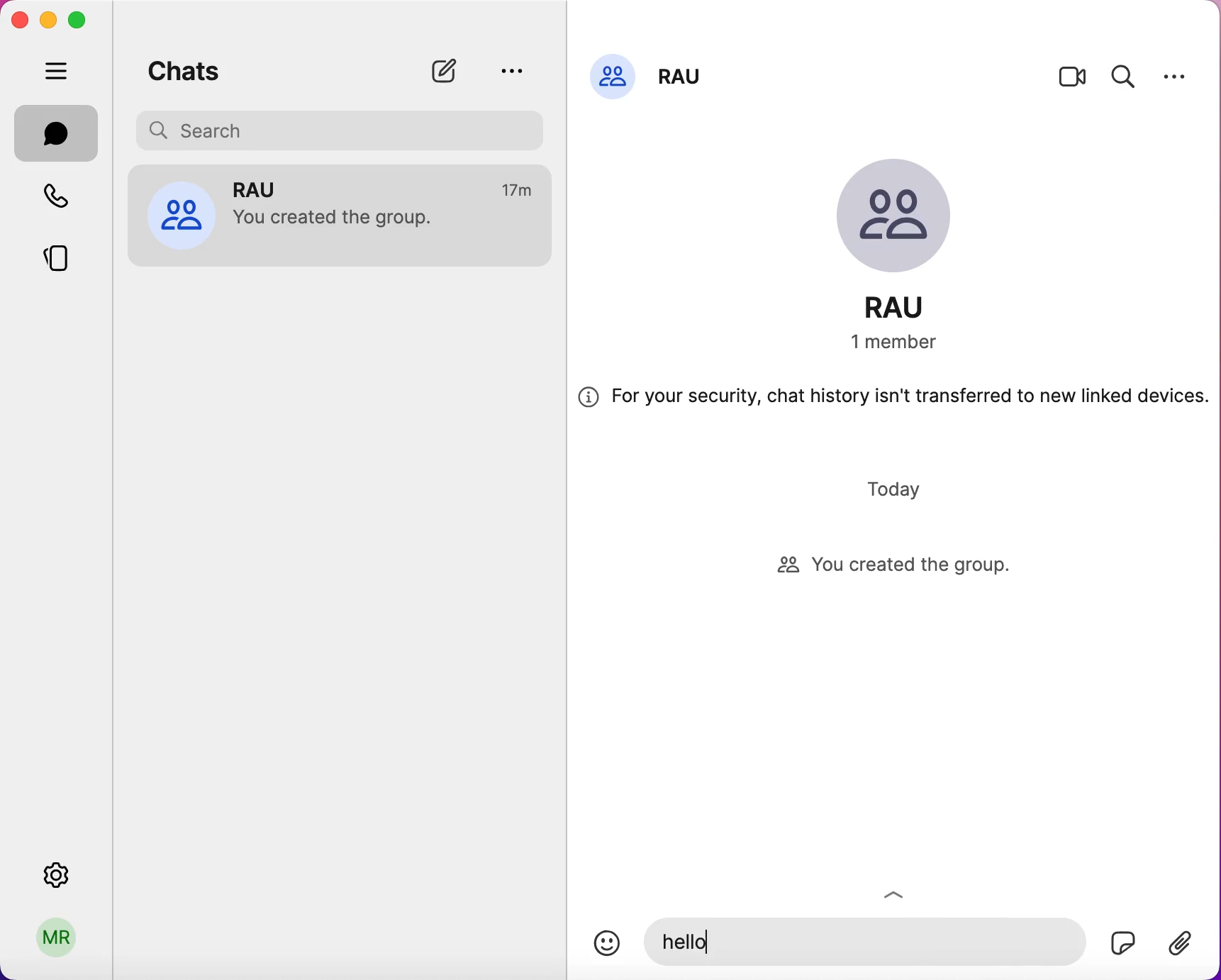 The image size is (1221, 980). I want to click on minimize, so click(47, 19).